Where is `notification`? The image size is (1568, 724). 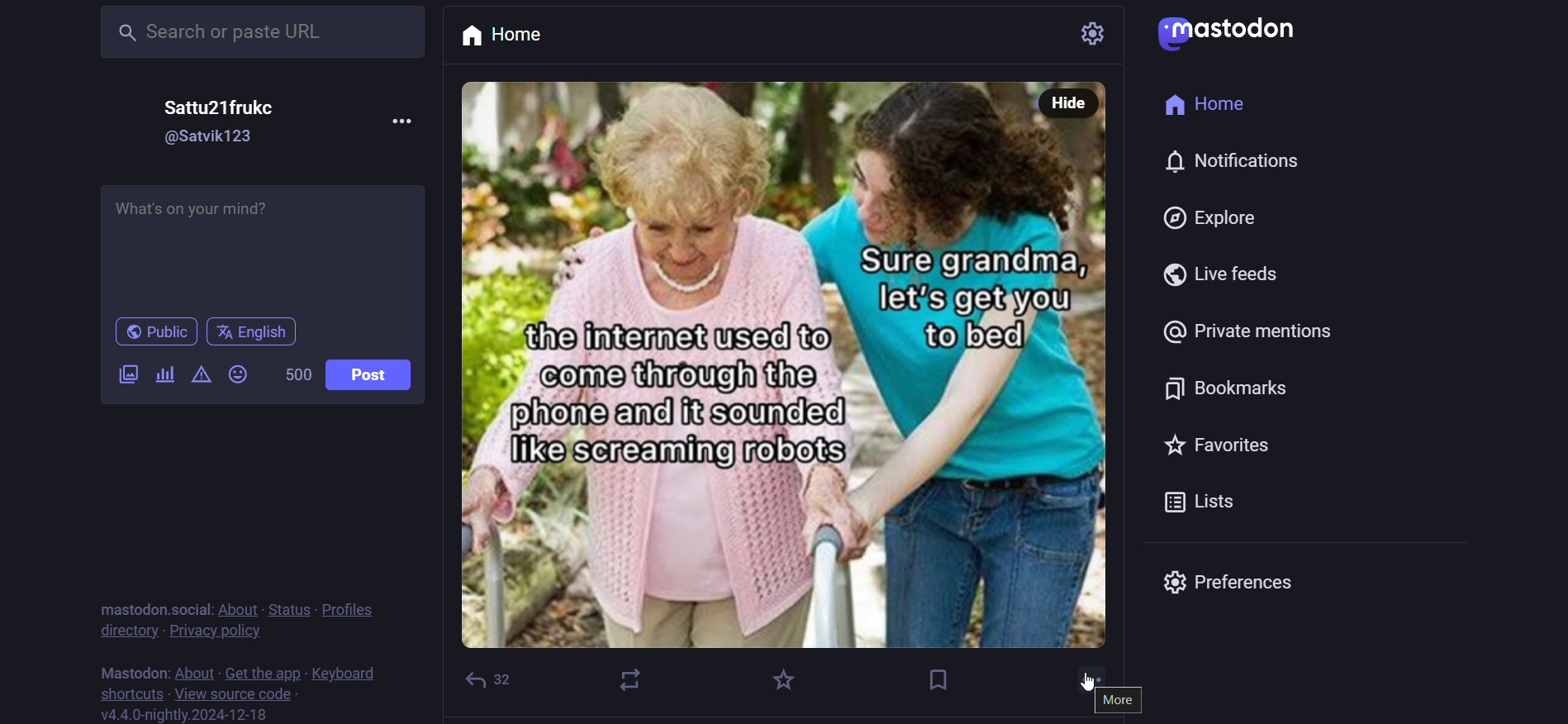 notification is located at coordinates (1221, 162).